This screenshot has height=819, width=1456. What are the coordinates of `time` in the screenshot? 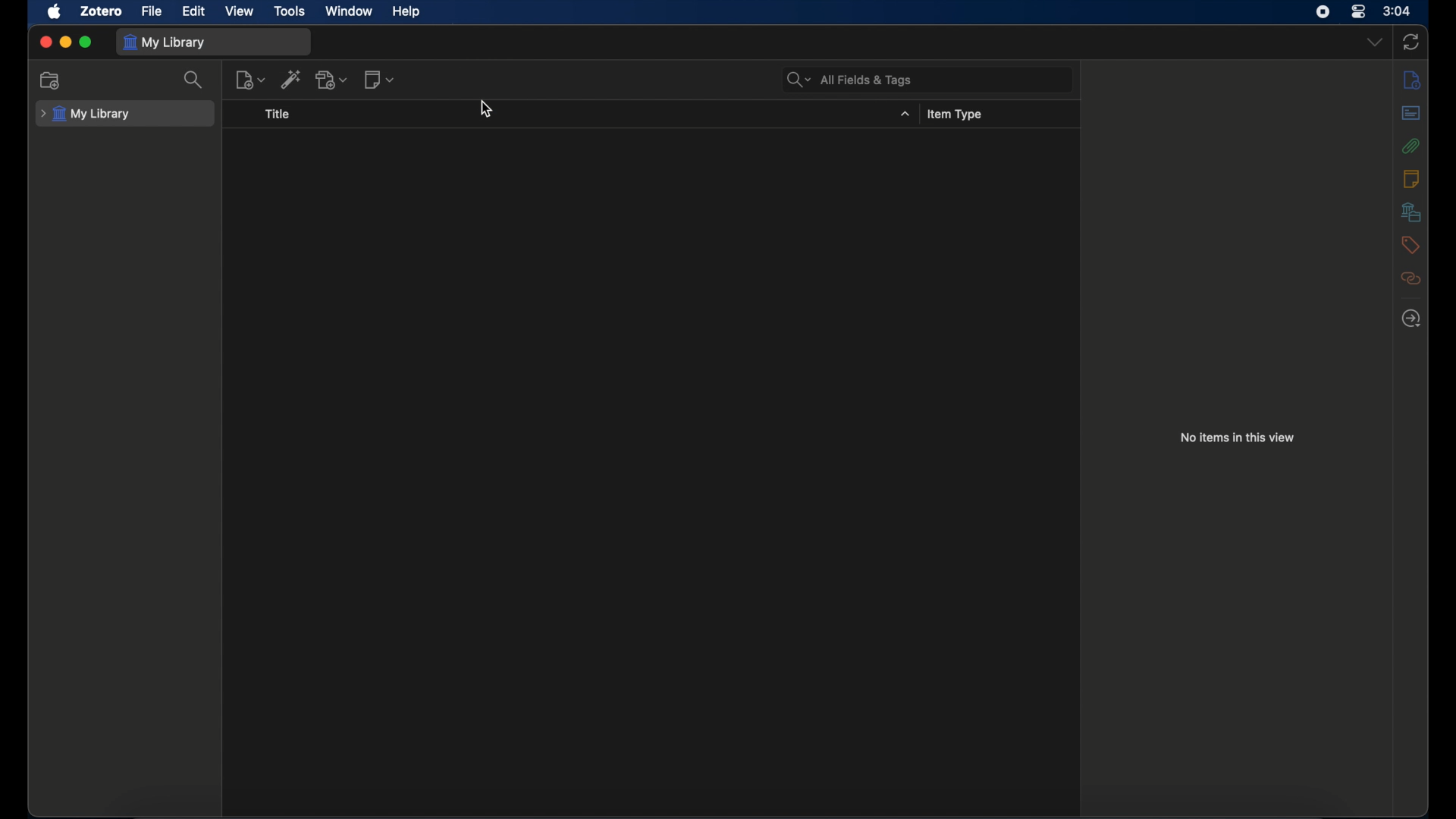 It's located at (1397, 10).